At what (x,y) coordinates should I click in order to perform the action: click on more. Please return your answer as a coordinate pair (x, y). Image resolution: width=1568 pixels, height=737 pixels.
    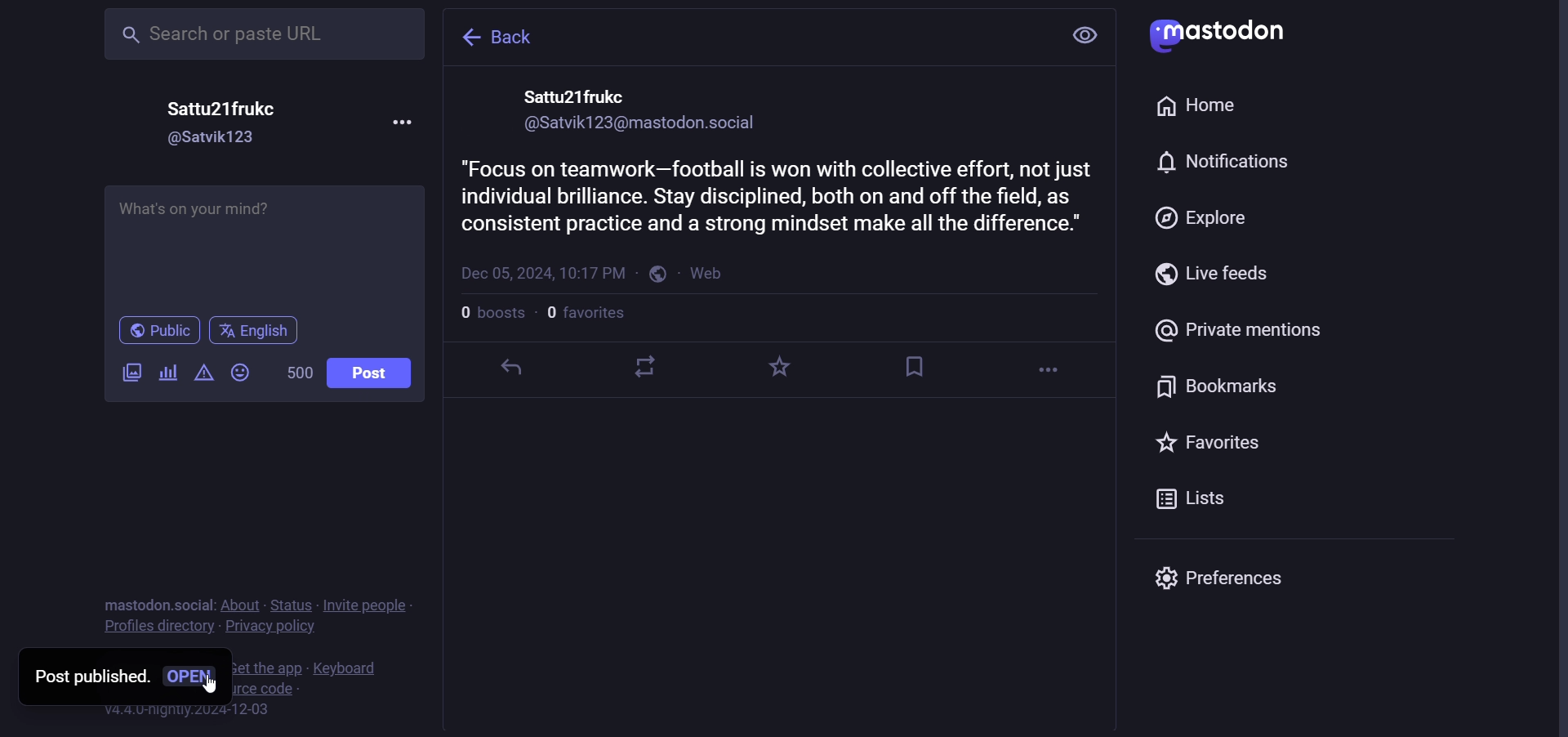
    Looking at the image, I should click on (1045, 367).